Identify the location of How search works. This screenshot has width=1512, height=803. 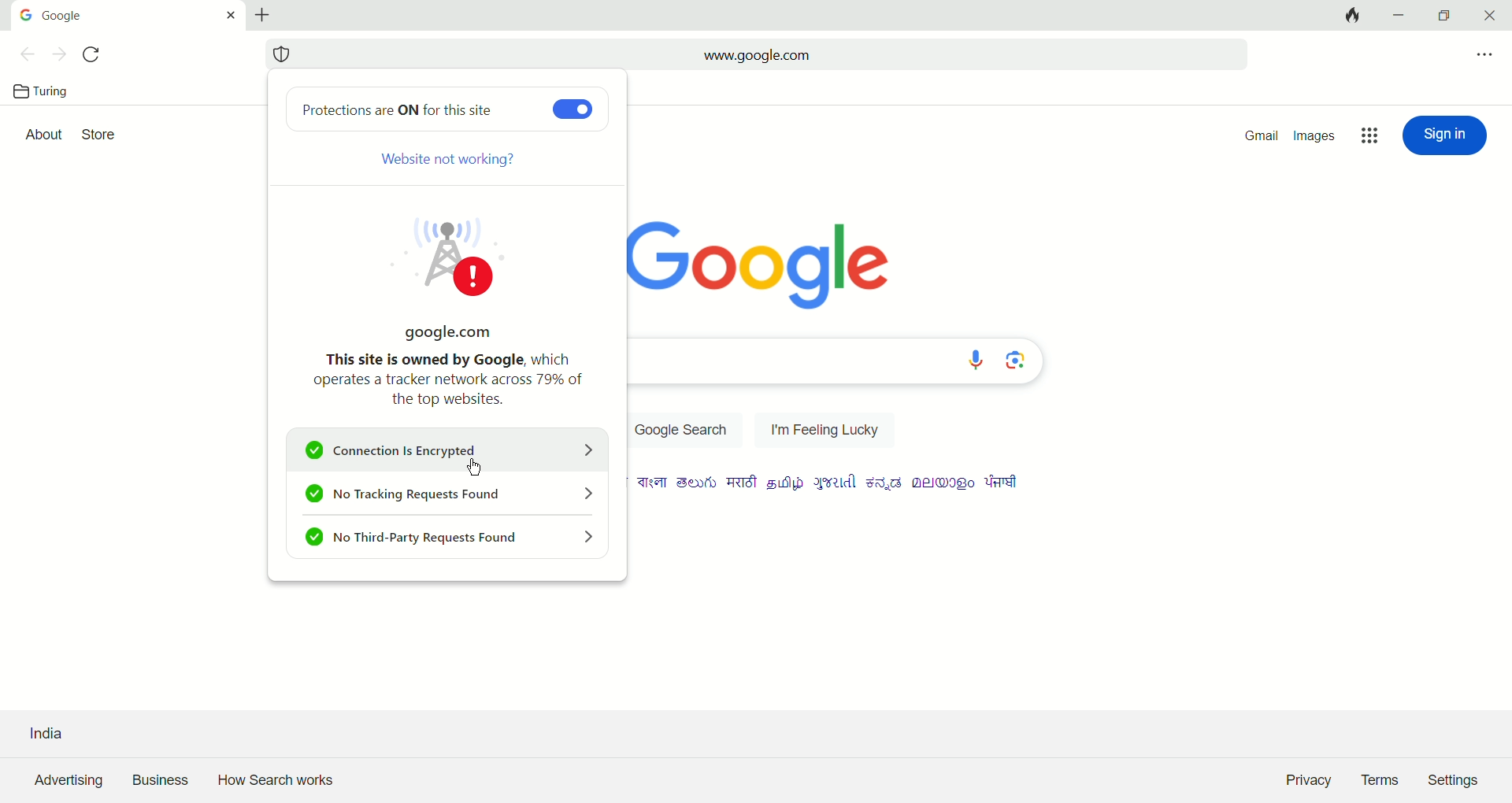
(278, 779).